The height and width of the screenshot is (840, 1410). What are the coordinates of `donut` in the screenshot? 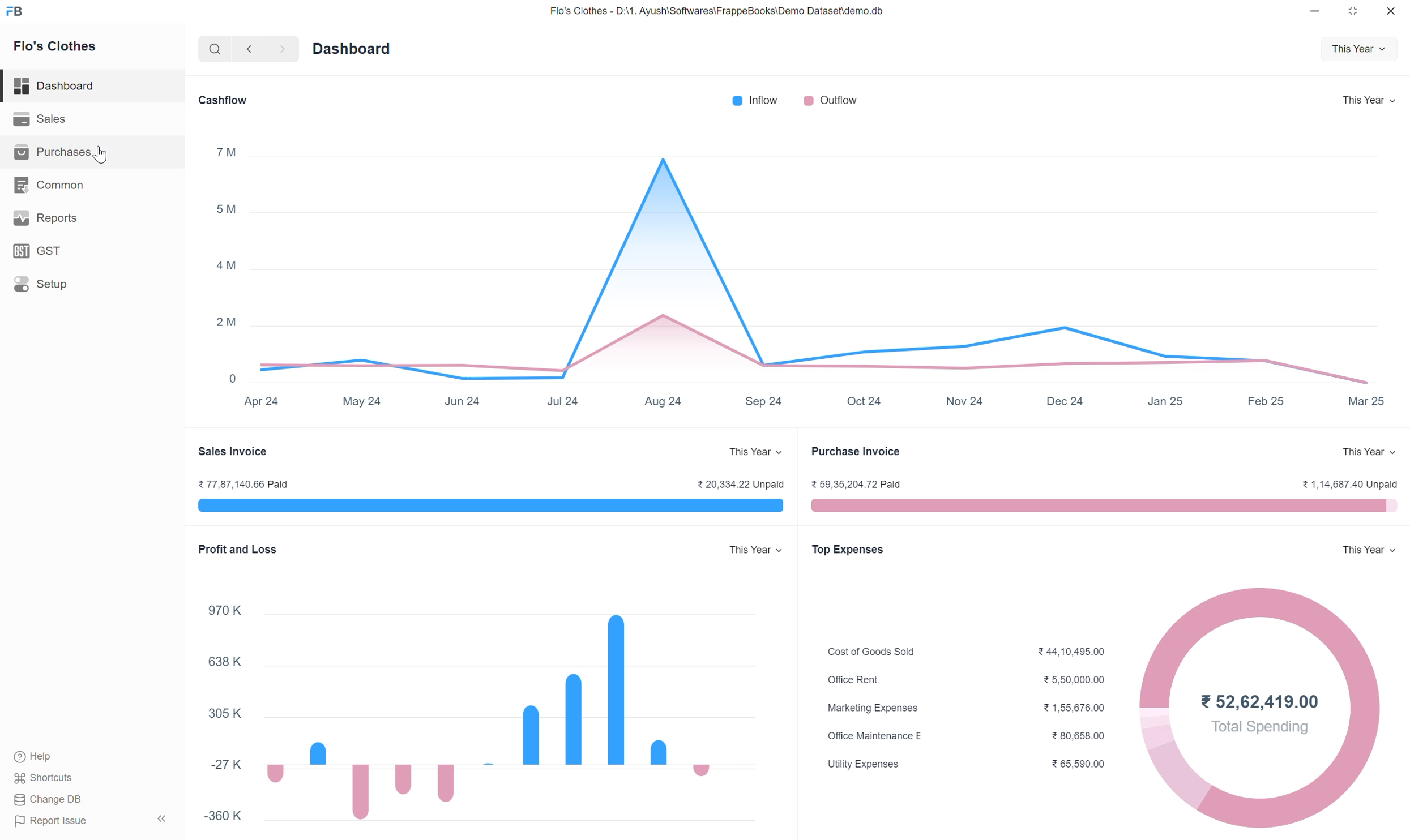 It's located at (1362, 716).